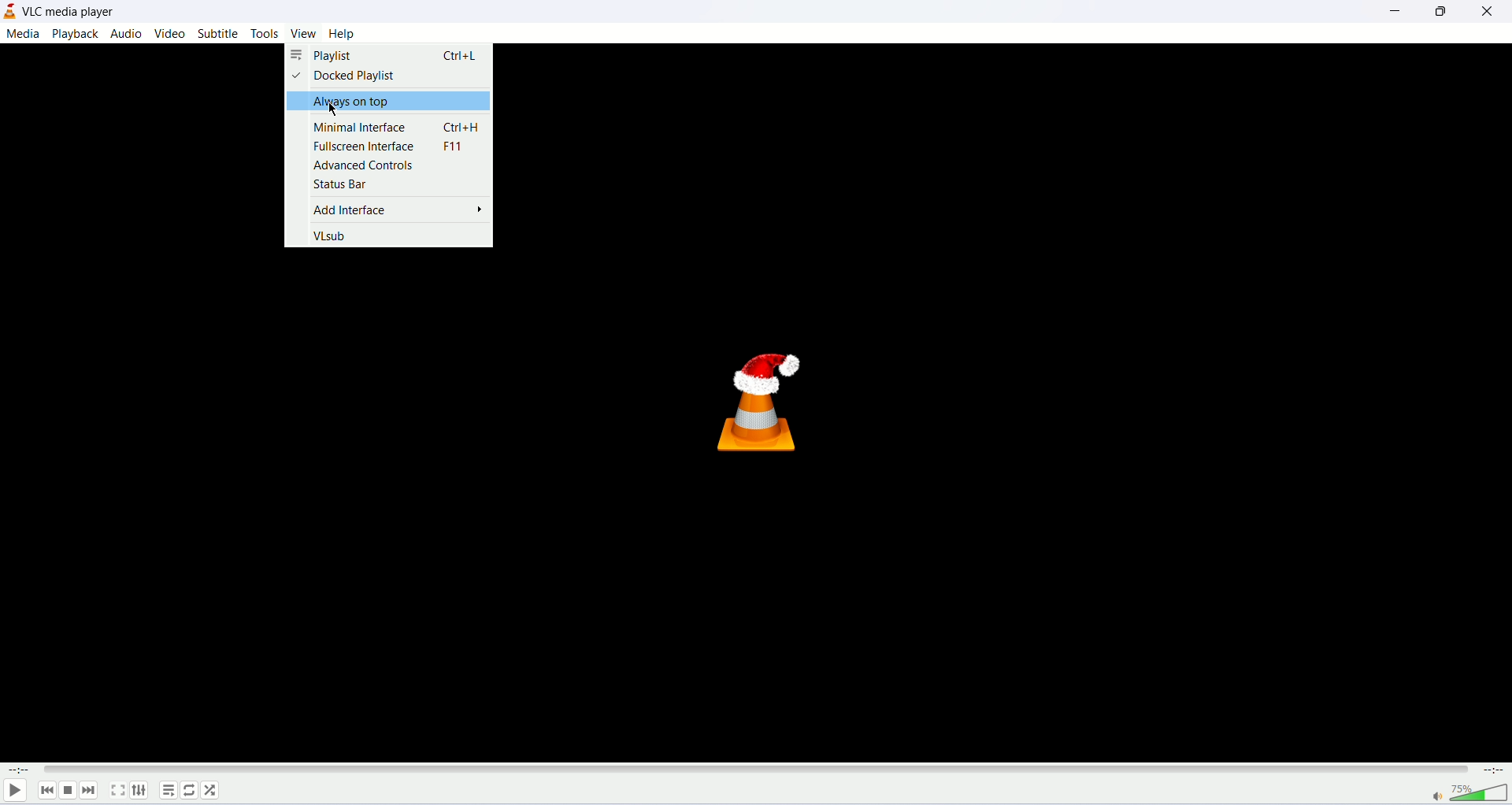  I want to click on extended settings, so click(143, 791).